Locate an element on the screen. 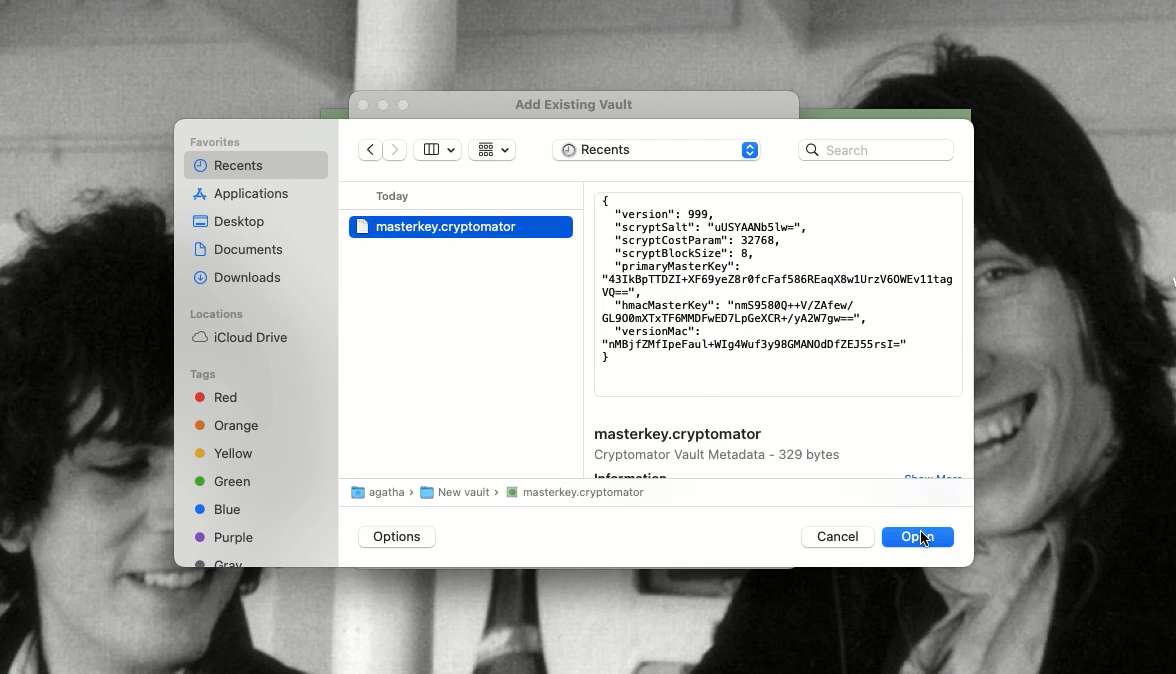  Cancel is located at coordinates (835, 536).